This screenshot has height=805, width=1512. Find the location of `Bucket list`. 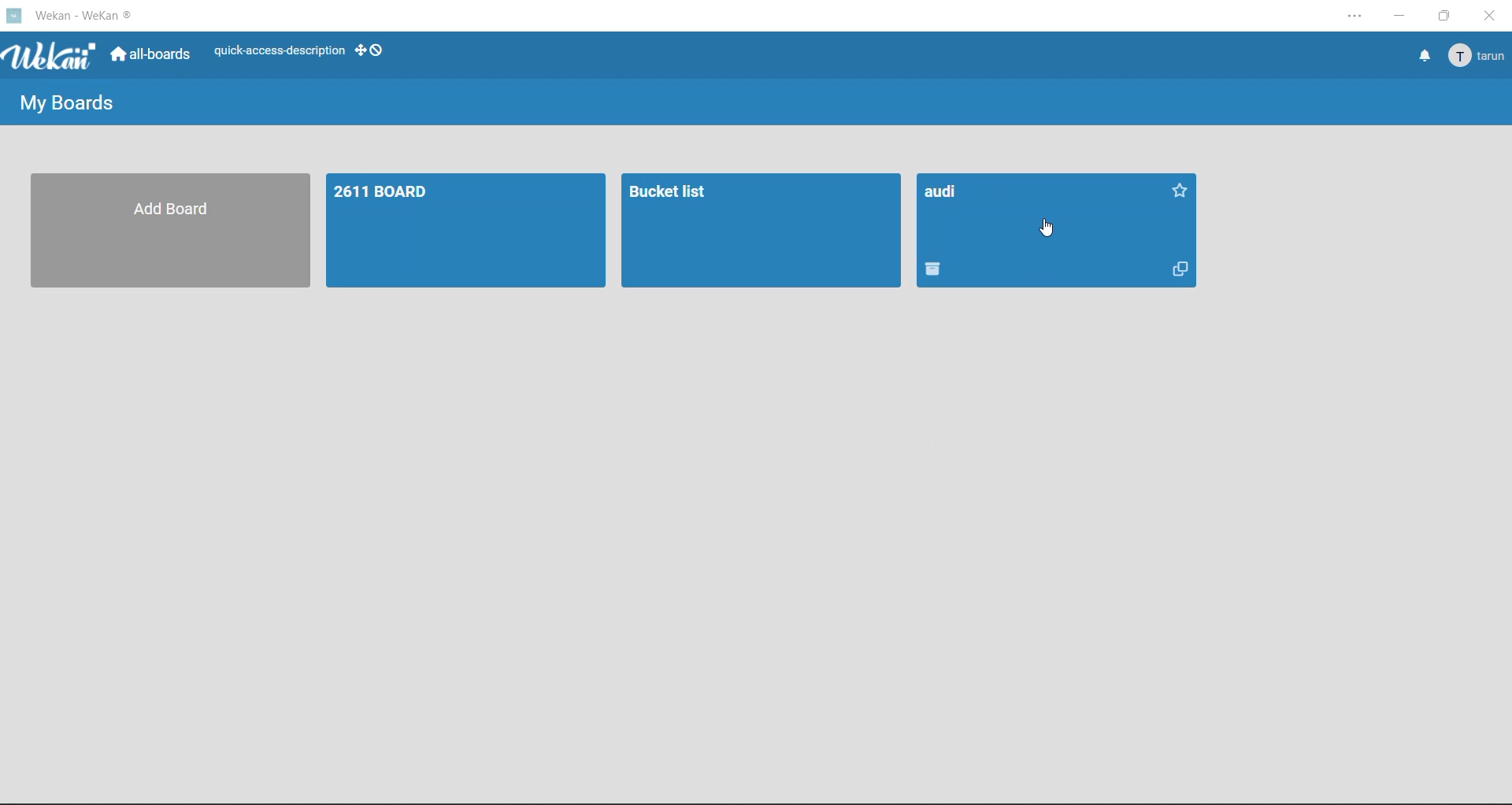

Bucket list is located at coordinates (763, 230).